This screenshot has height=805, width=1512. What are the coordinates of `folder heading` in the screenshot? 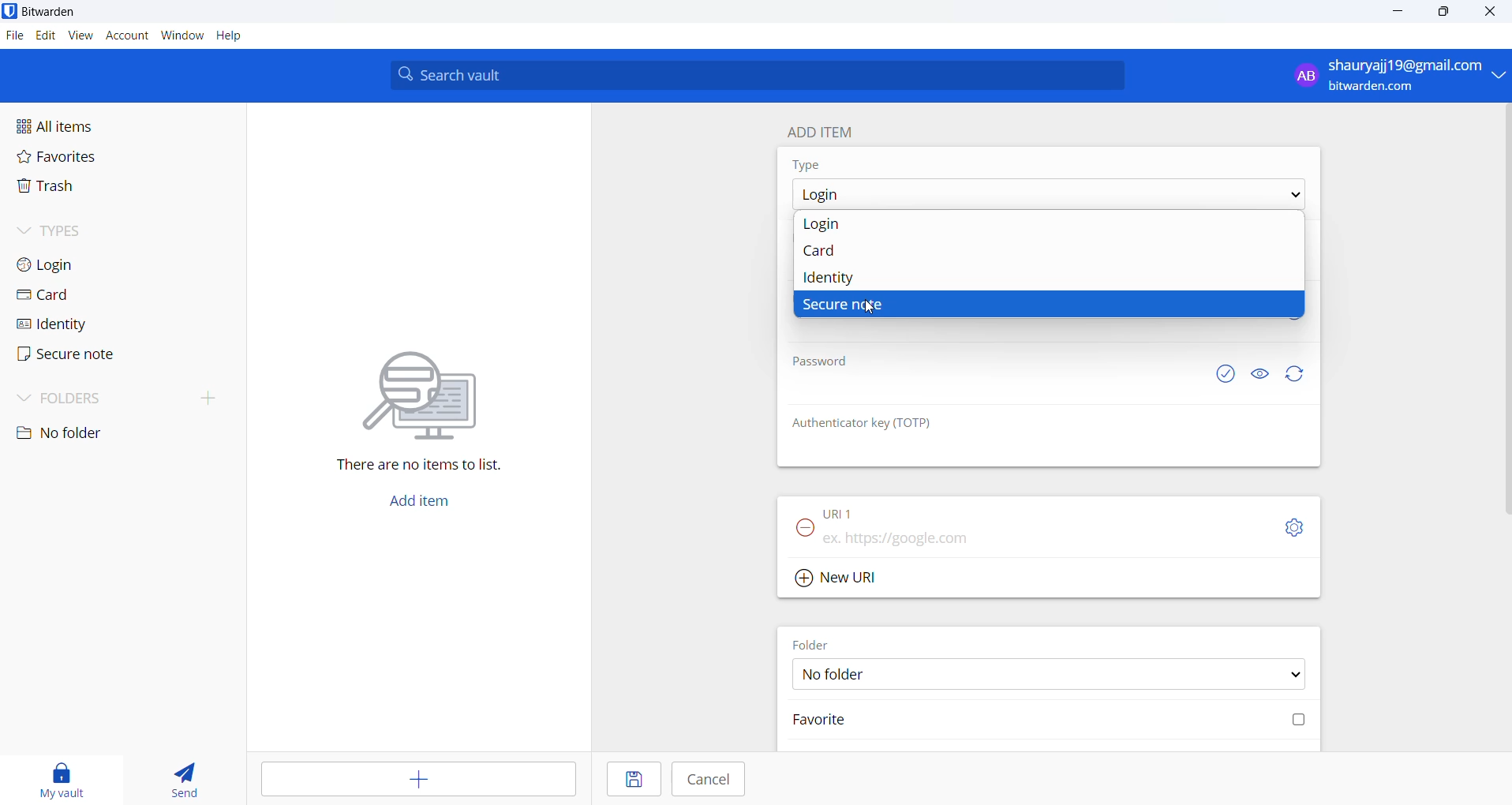 It's located at (810, 645).